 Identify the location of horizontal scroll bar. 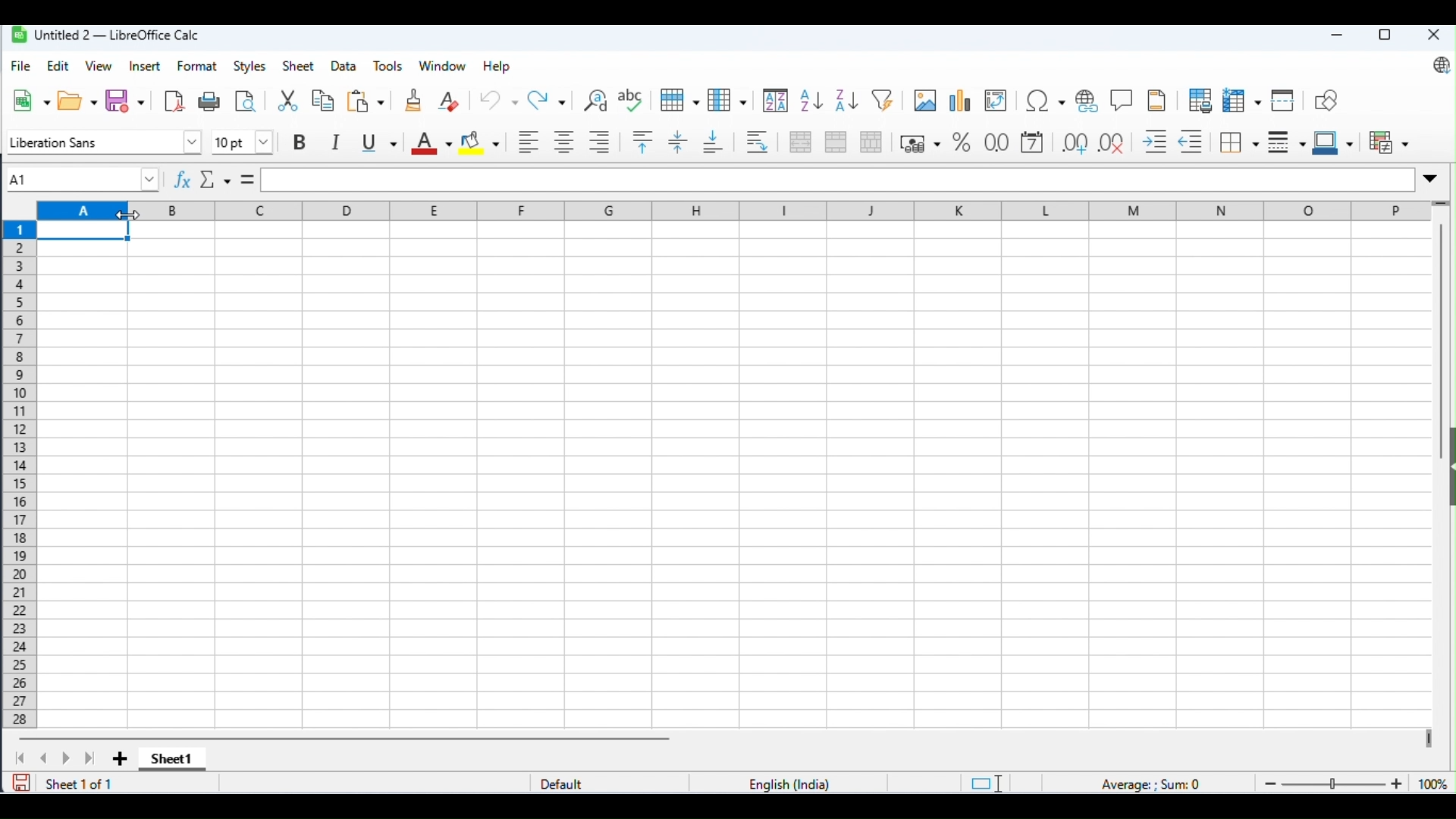
(350, 739).